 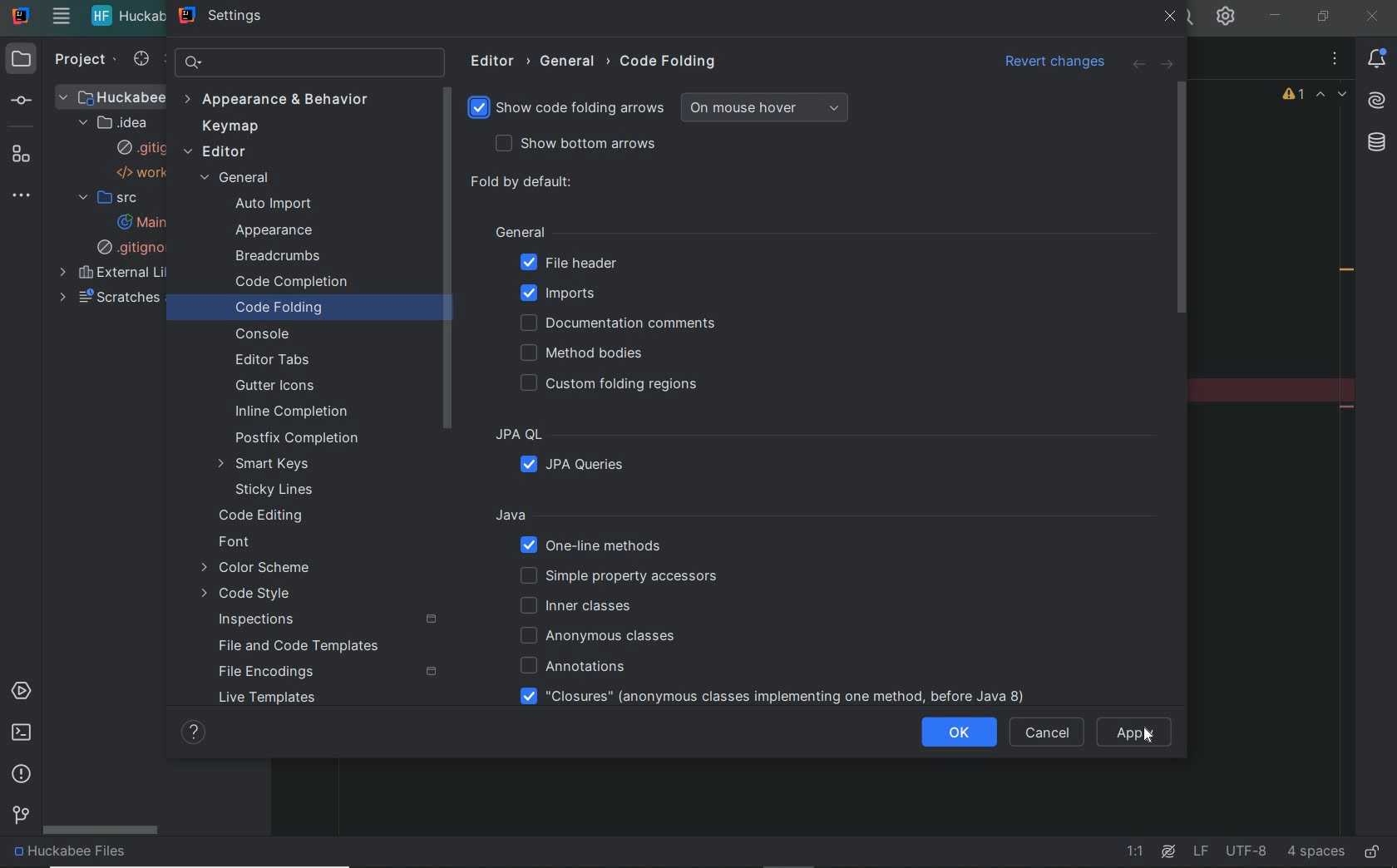 What do you see at coordinates (1380, 98) in the screenshot?
I see `AI assistant` at bounding box center [1380, 98].